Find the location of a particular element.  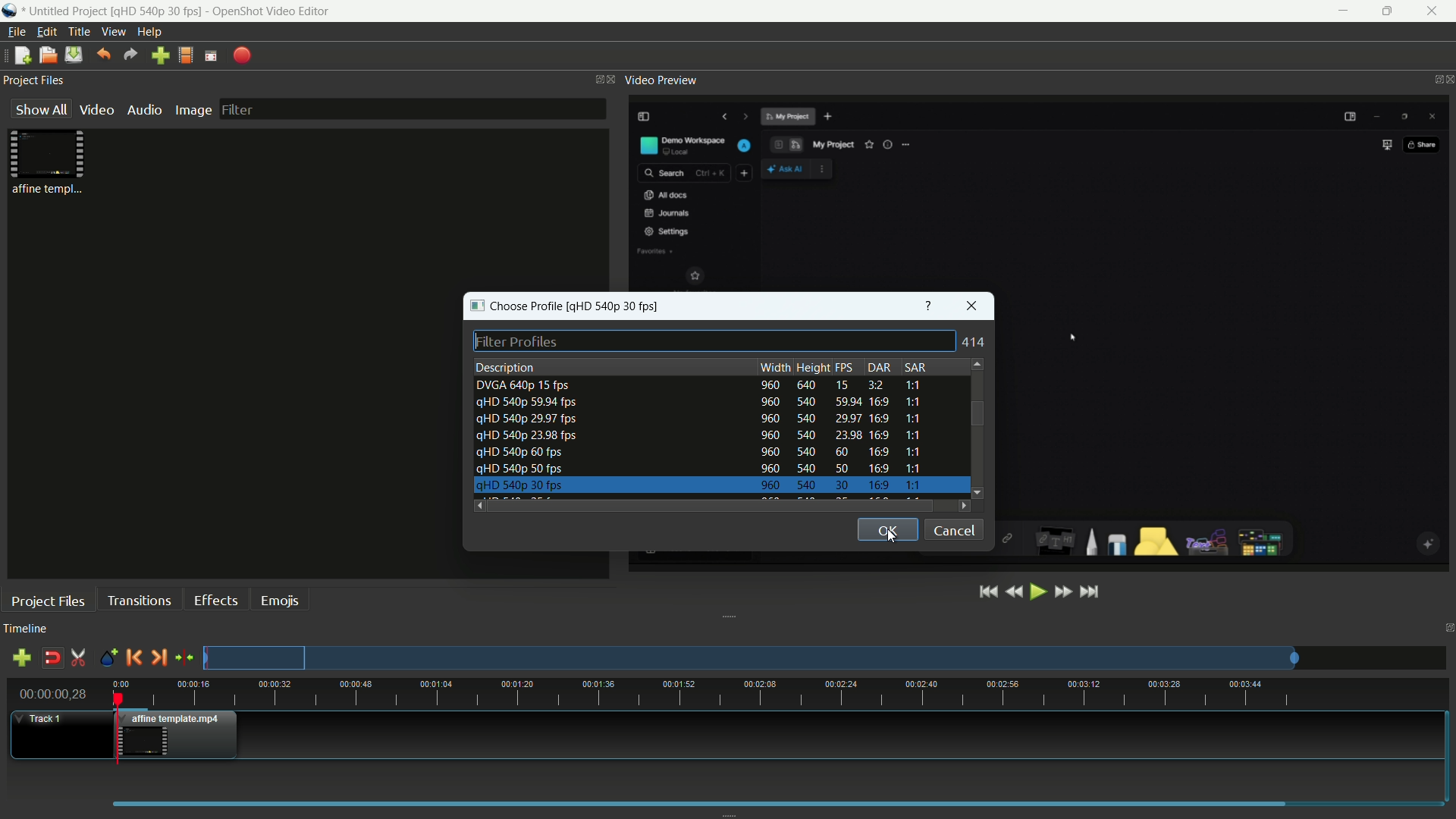

cancel is located at coordinates (954, 531).